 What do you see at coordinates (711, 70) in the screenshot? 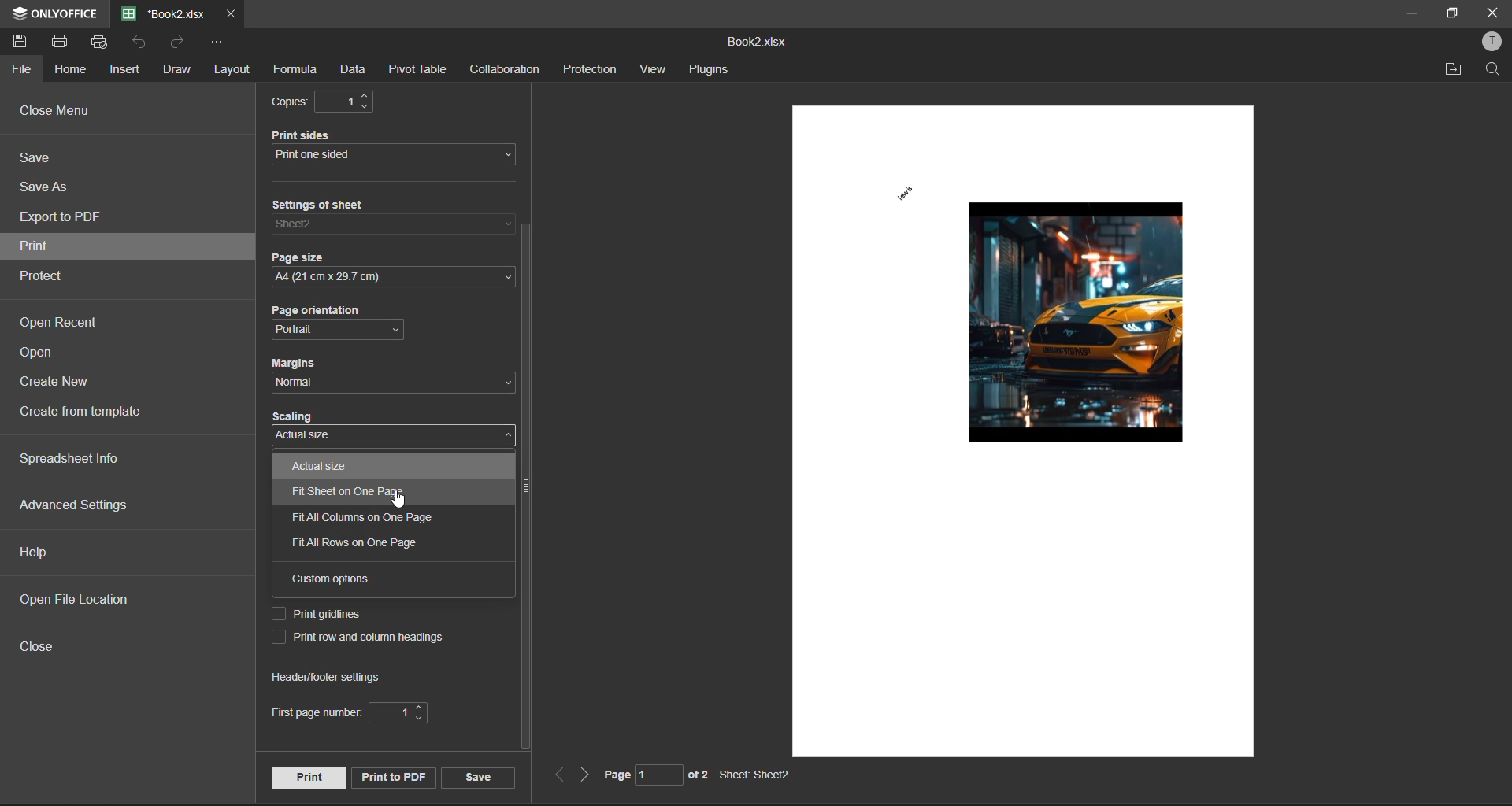
I see `plugins` at bounding box center [711, 70].